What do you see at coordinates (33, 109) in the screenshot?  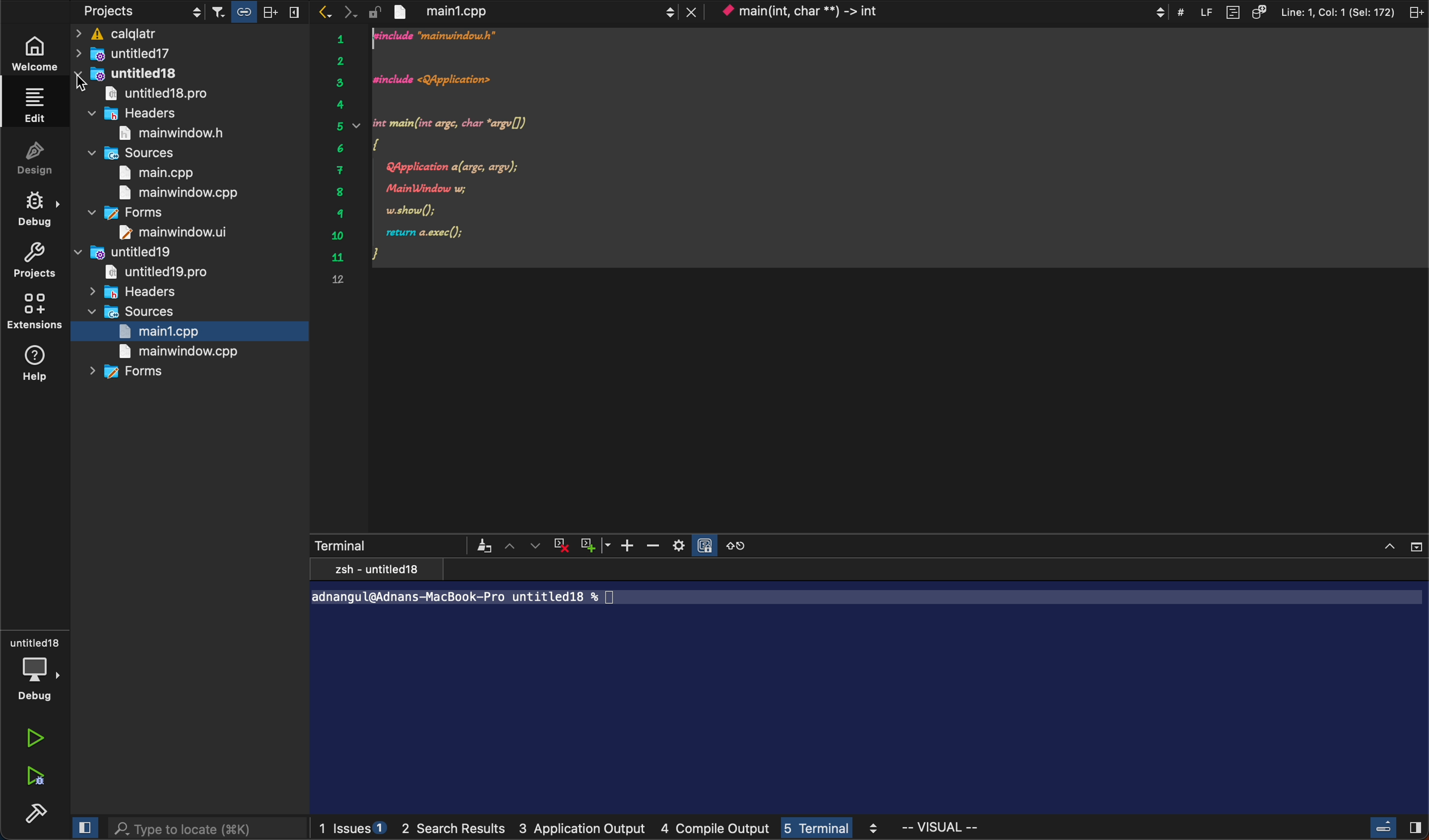 I see `edit` at bounding box center [33, 109].